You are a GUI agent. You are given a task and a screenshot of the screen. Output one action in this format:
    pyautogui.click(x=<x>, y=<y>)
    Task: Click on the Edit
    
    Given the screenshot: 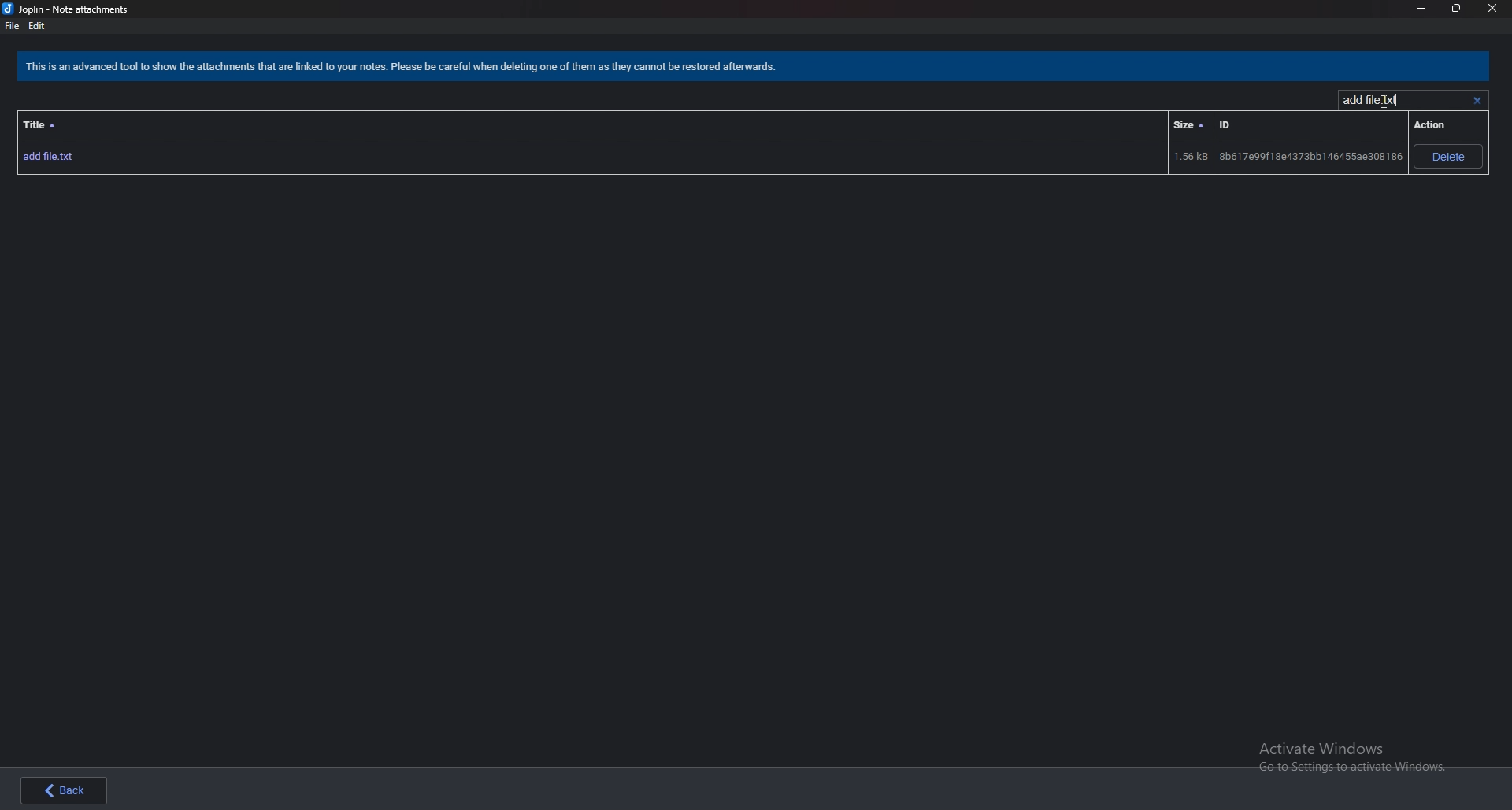 What is the action you would take?
    pyautogui.click(x=37, y=26)
    